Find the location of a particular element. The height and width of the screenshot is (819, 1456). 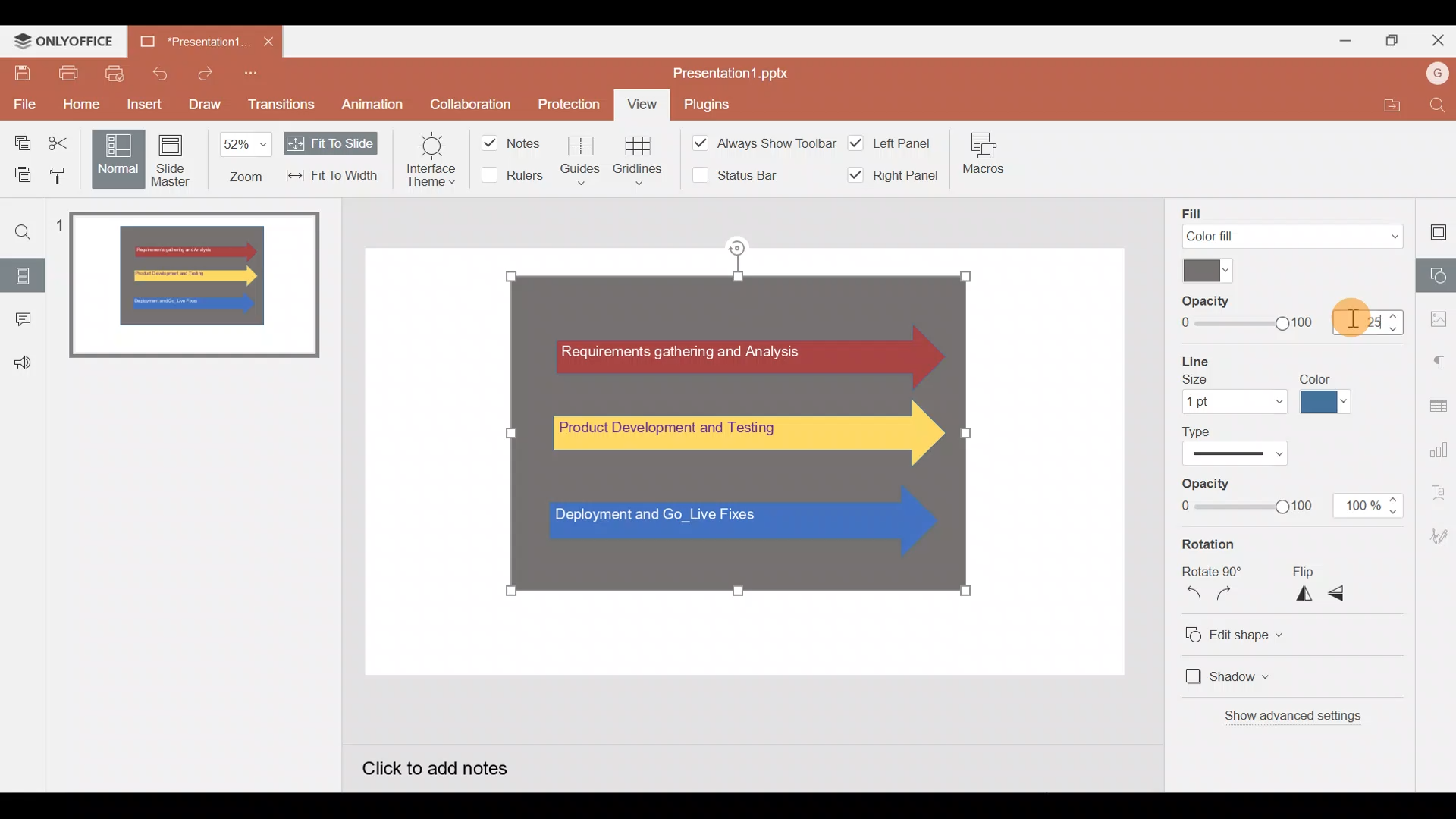

Macros is located at coordinates (984, 153).